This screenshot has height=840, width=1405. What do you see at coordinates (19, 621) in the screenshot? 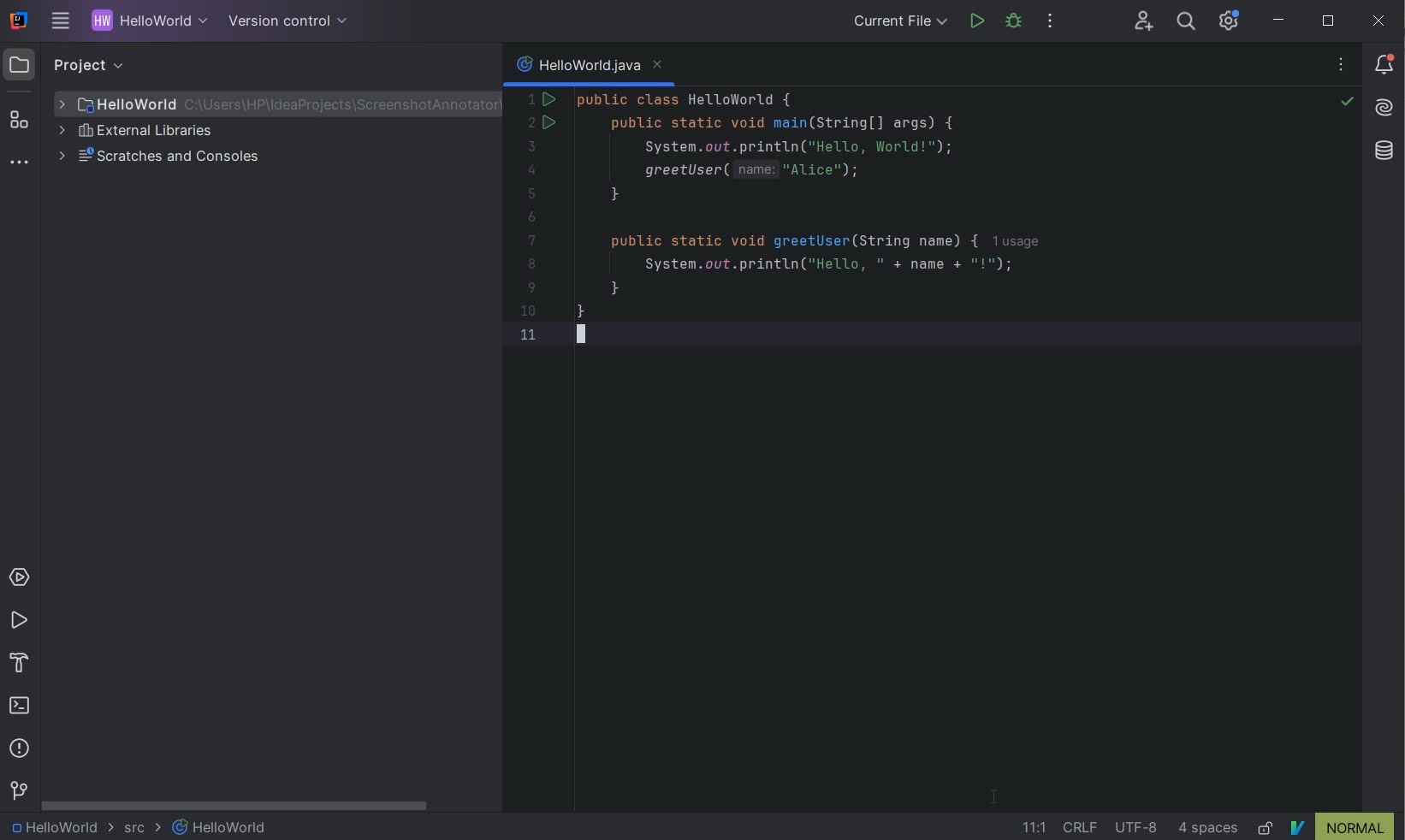
I see `RUN` at bounding box center [19, 621].